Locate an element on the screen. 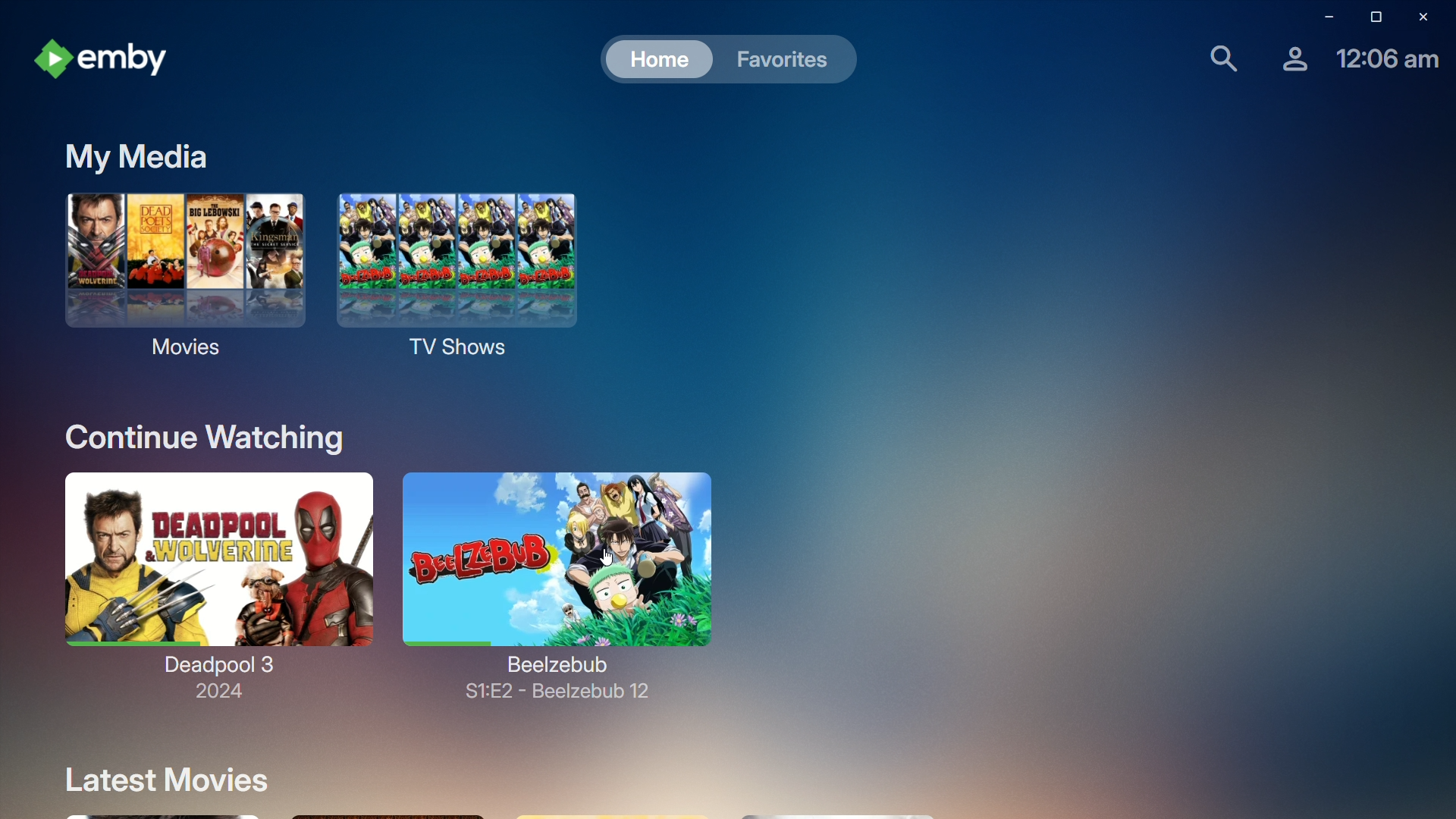 This screenshot has height=819, width=1456. Account is located at coordinates (1295, 61).